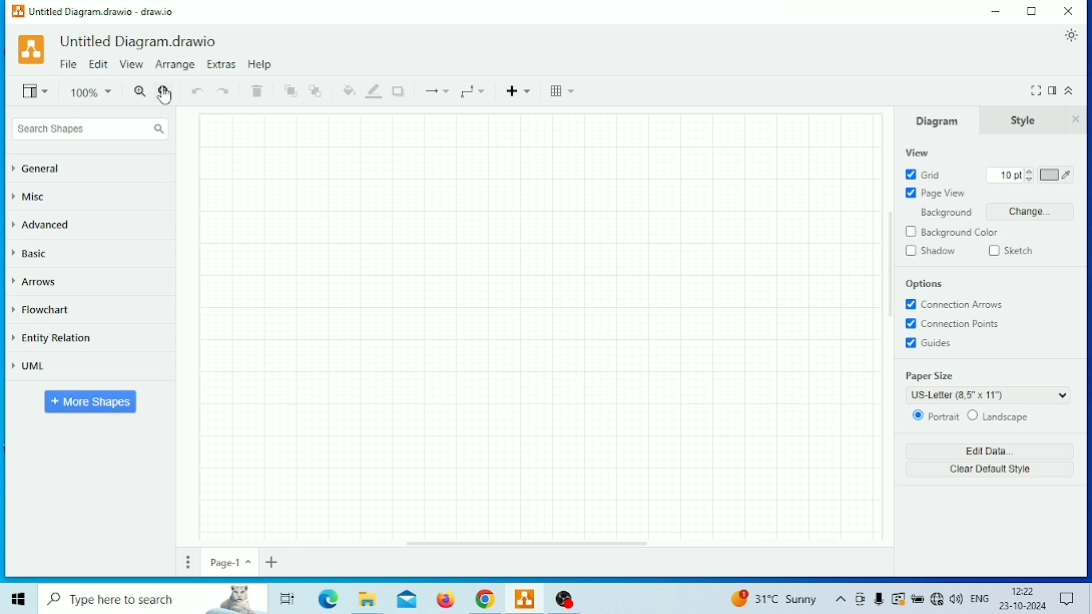  I want to click on Firefox, so click(447, 600).